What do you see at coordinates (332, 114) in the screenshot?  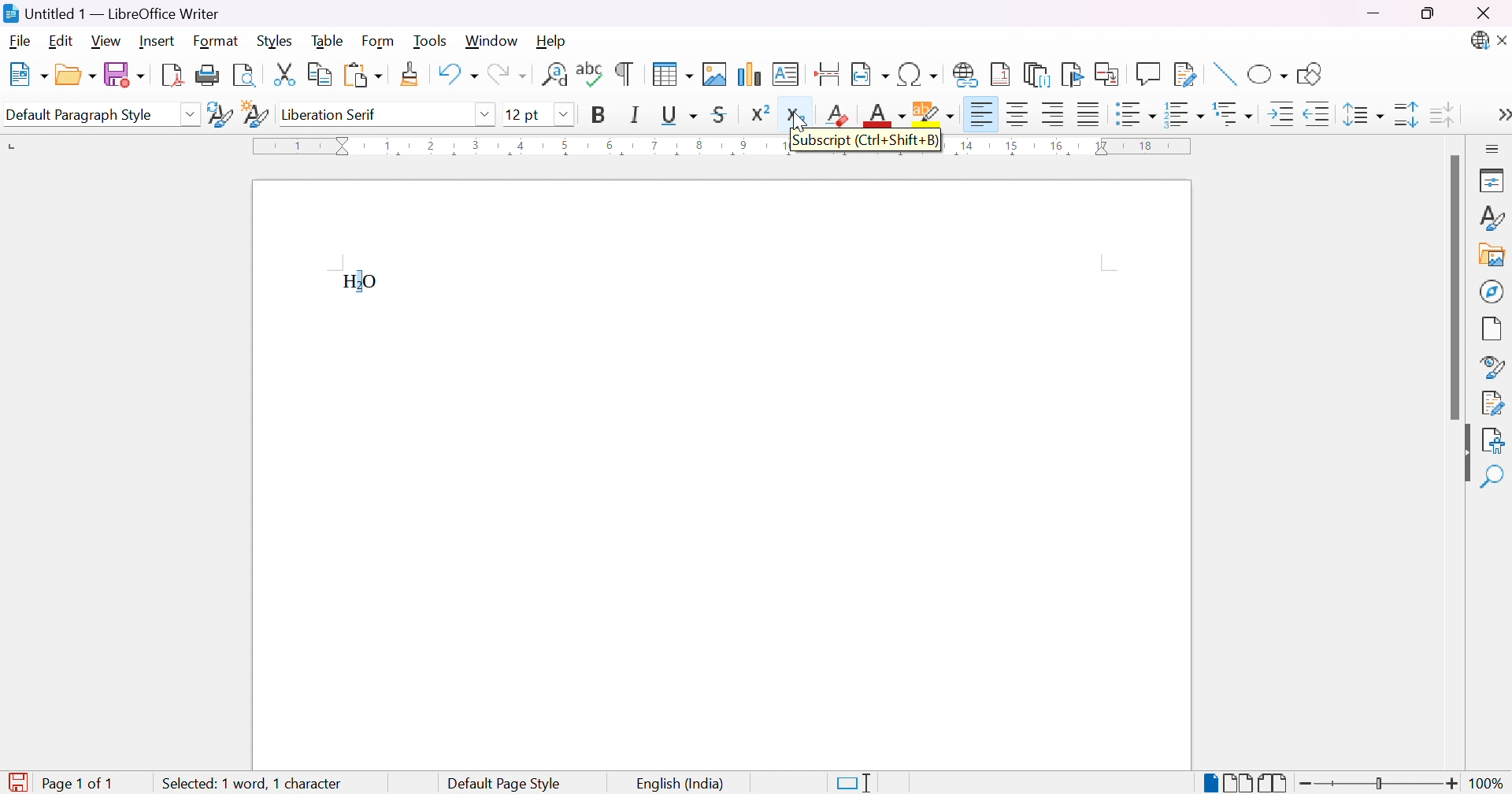 I see `Liberation serif` at bounding box center [332, 114].